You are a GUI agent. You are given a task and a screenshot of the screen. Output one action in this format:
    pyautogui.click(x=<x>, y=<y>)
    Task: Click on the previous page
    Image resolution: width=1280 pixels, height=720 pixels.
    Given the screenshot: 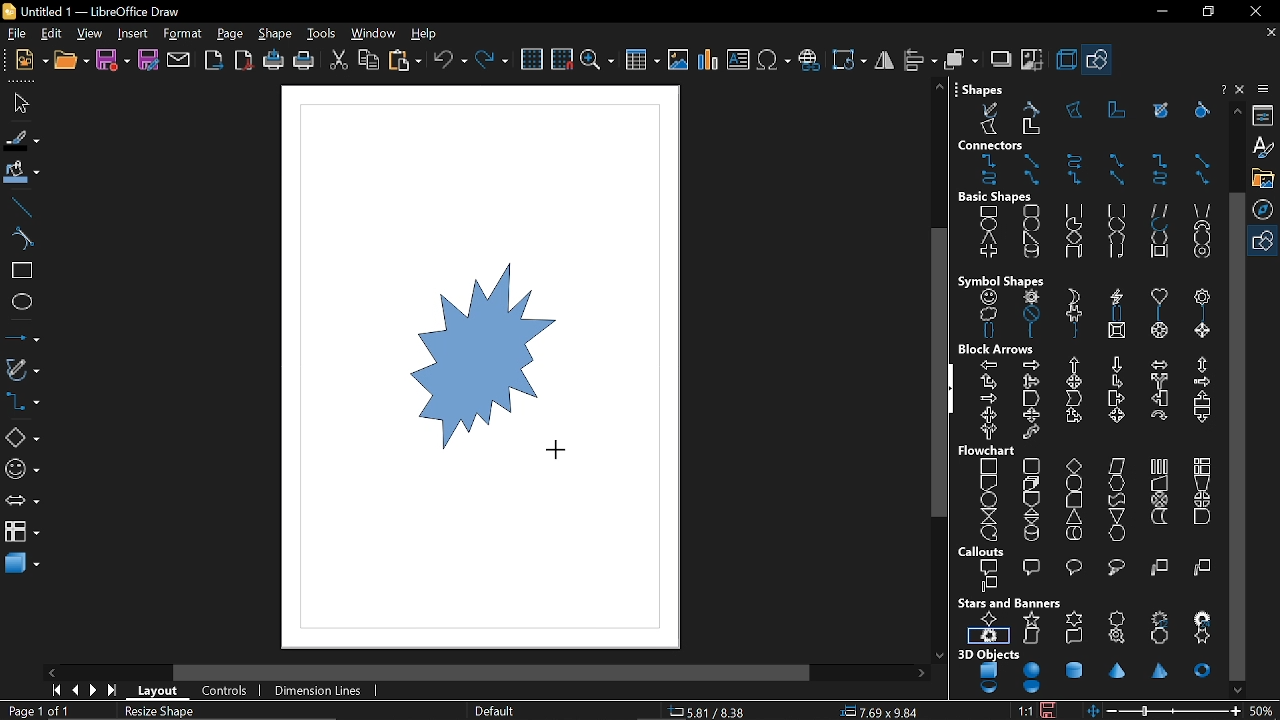 What is the action you would take?
    pyautogui.click(x=75, y=691)
    